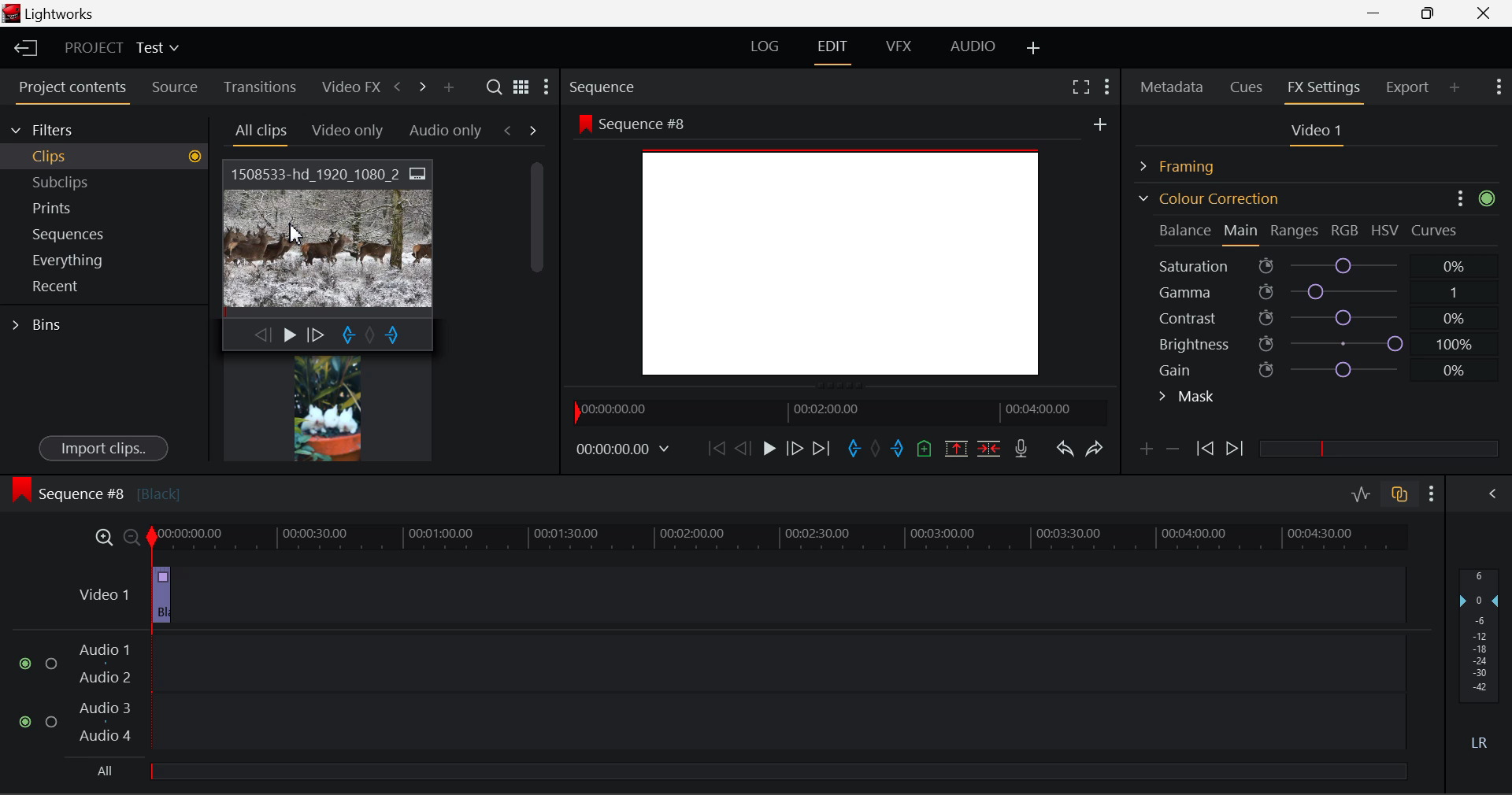 This screenshot has width=1512, height=795. Describe the element at coordinates (1332, 367) in the screenshot. I see `Gain` at that location.